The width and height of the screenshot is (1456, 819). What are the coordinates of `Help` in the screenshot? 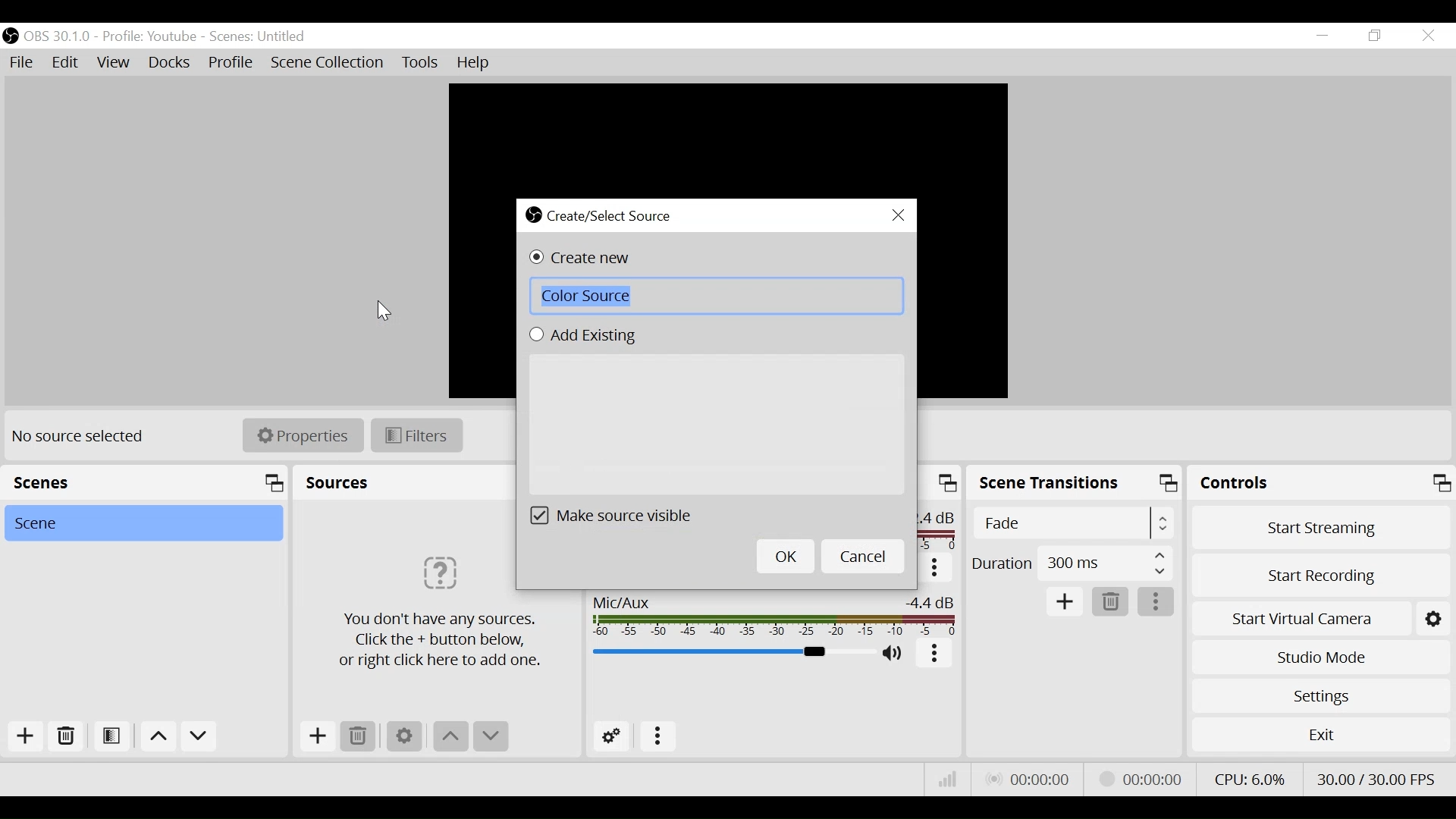 It's located at (479, 62).